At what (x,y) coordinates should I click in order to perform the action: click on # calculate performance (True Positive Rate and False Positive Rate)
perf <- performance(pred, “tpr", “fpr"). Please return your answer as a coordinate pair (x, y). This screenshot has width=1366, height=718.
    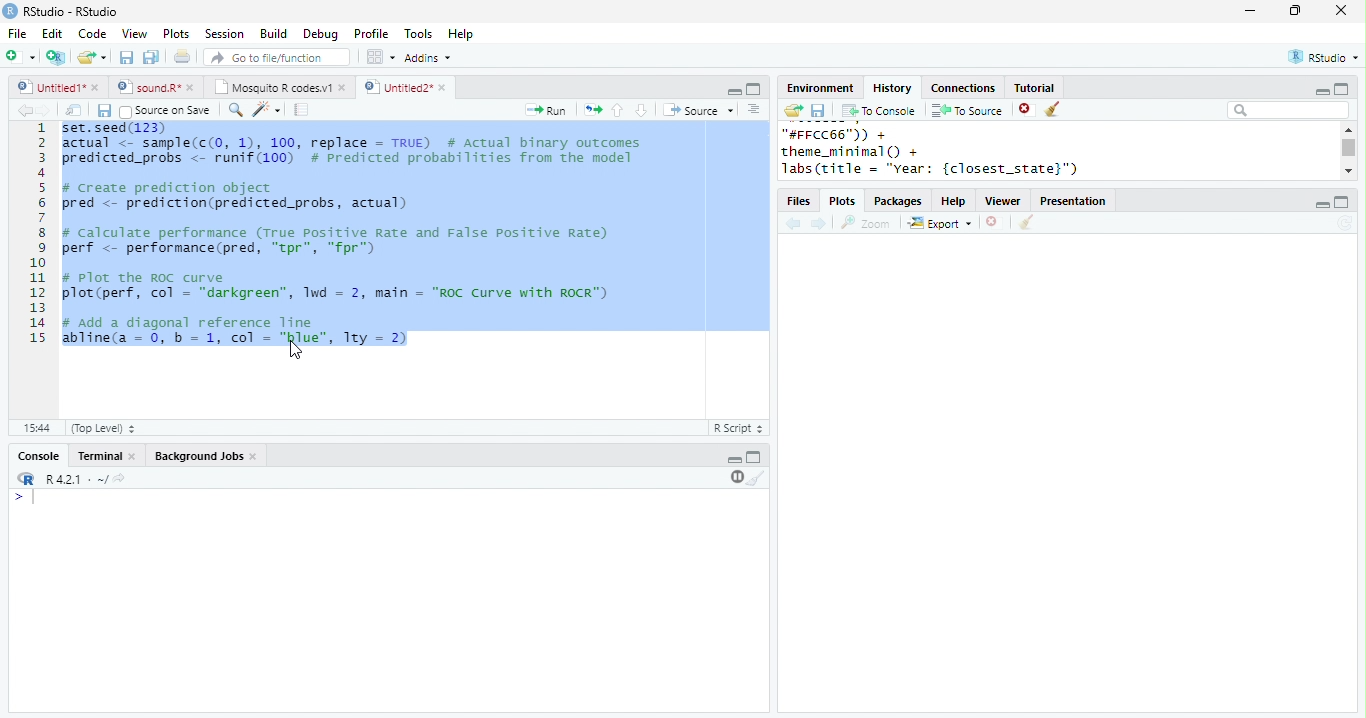
    Looking at the image, I should click on (336, 240).